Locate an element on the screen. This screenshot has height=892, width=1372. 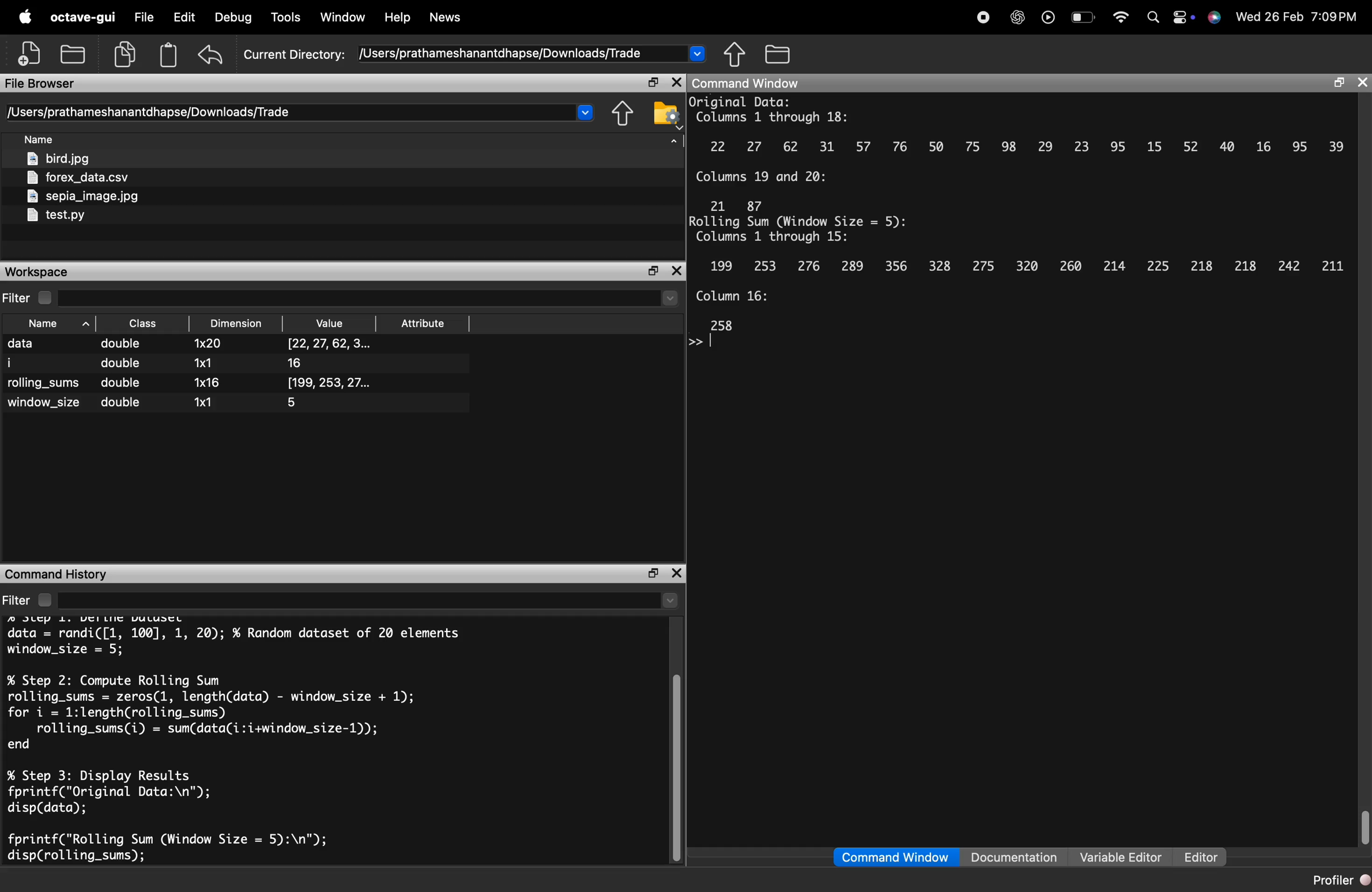
edit is located at coordinates (187, 17).